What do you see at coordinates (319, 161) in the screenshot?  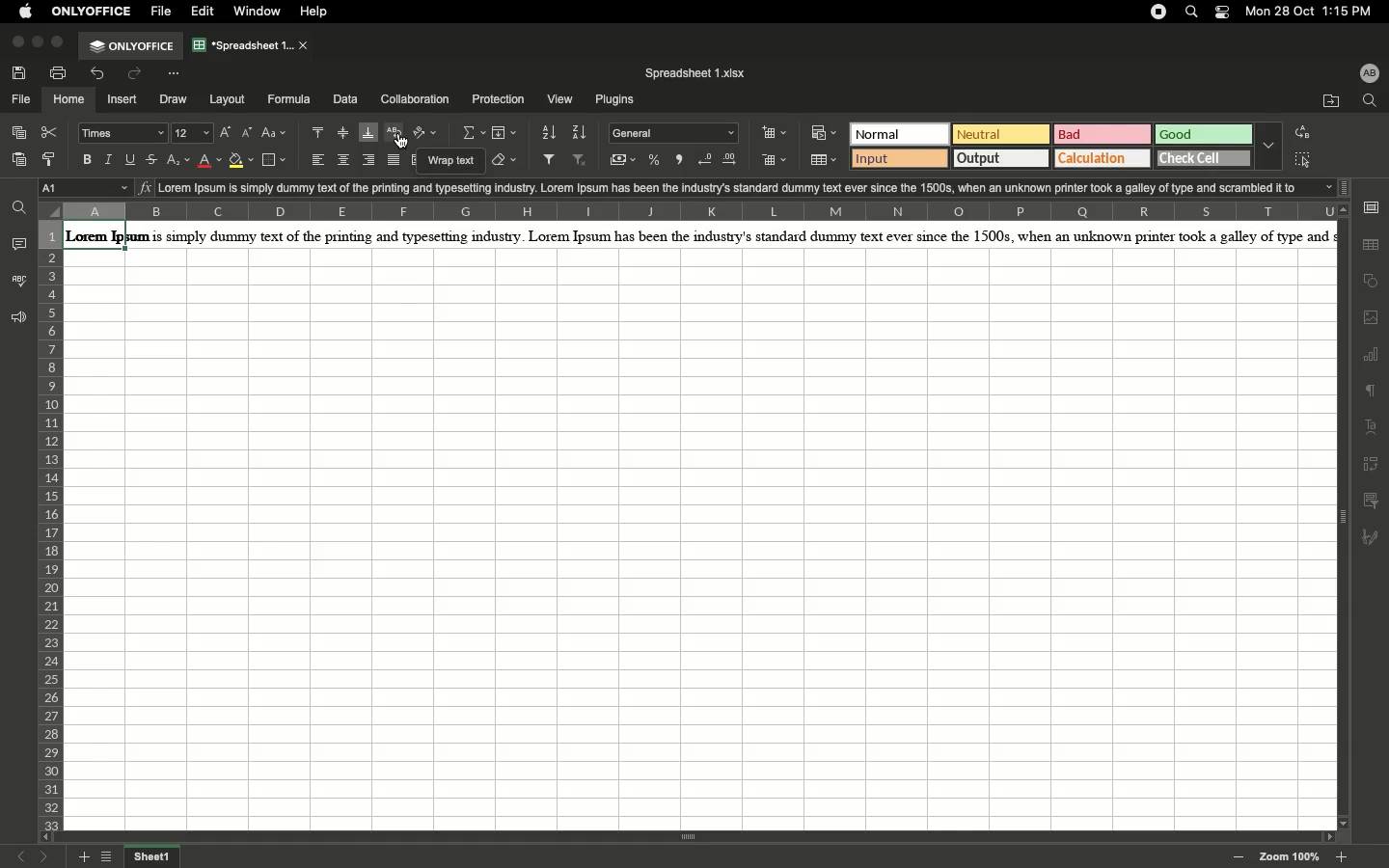 I see `Align left` at bounding box center [319, 161].